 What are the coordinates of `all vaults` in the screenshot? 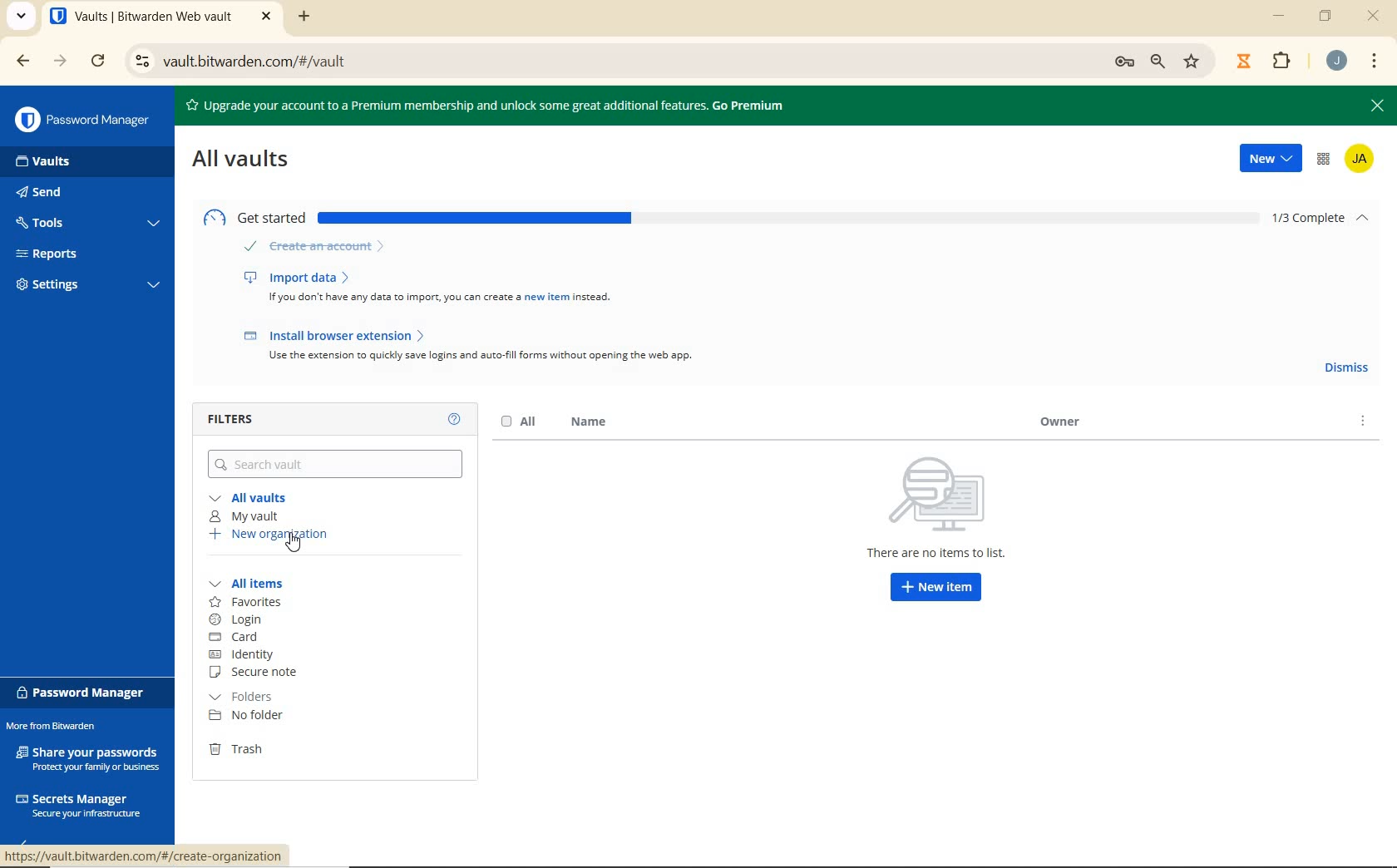 It's located at (250, 498).